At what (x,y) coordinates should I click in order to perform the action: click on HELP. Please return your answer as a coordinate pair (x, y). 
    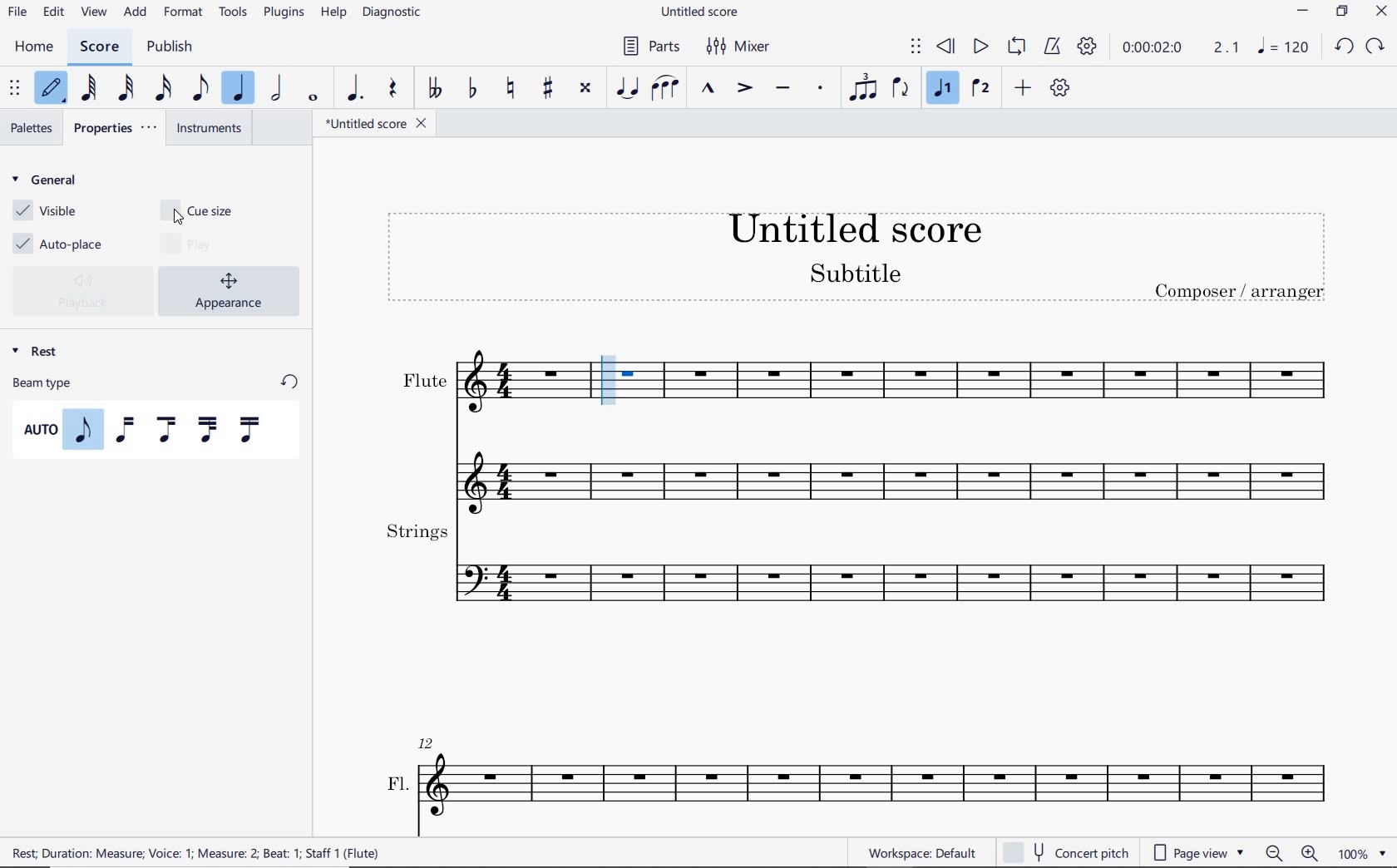
    Looking at the image, I should click on (334, 12).